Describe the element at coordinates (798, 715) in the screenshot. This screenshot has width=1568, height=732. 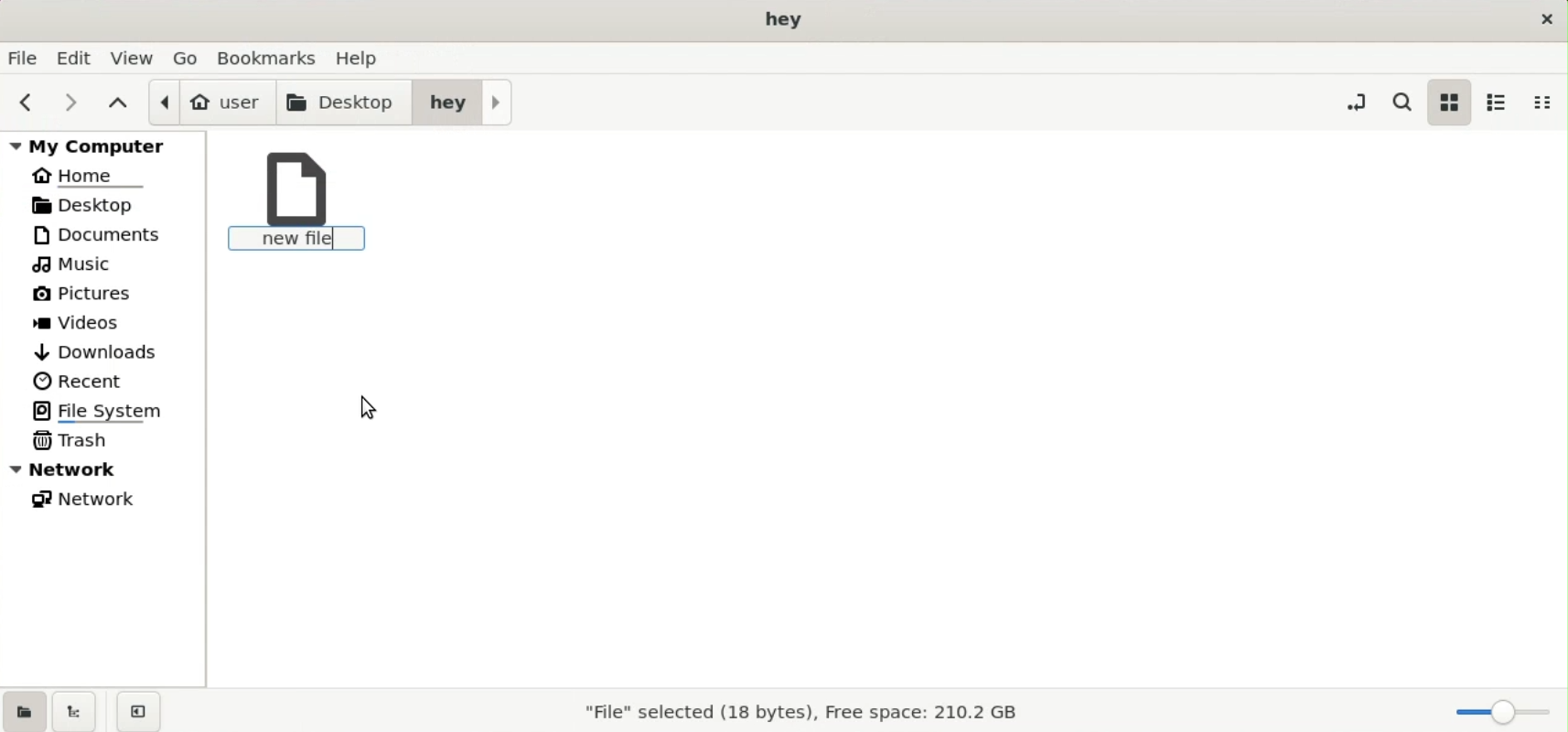
I see `storage` at that location.